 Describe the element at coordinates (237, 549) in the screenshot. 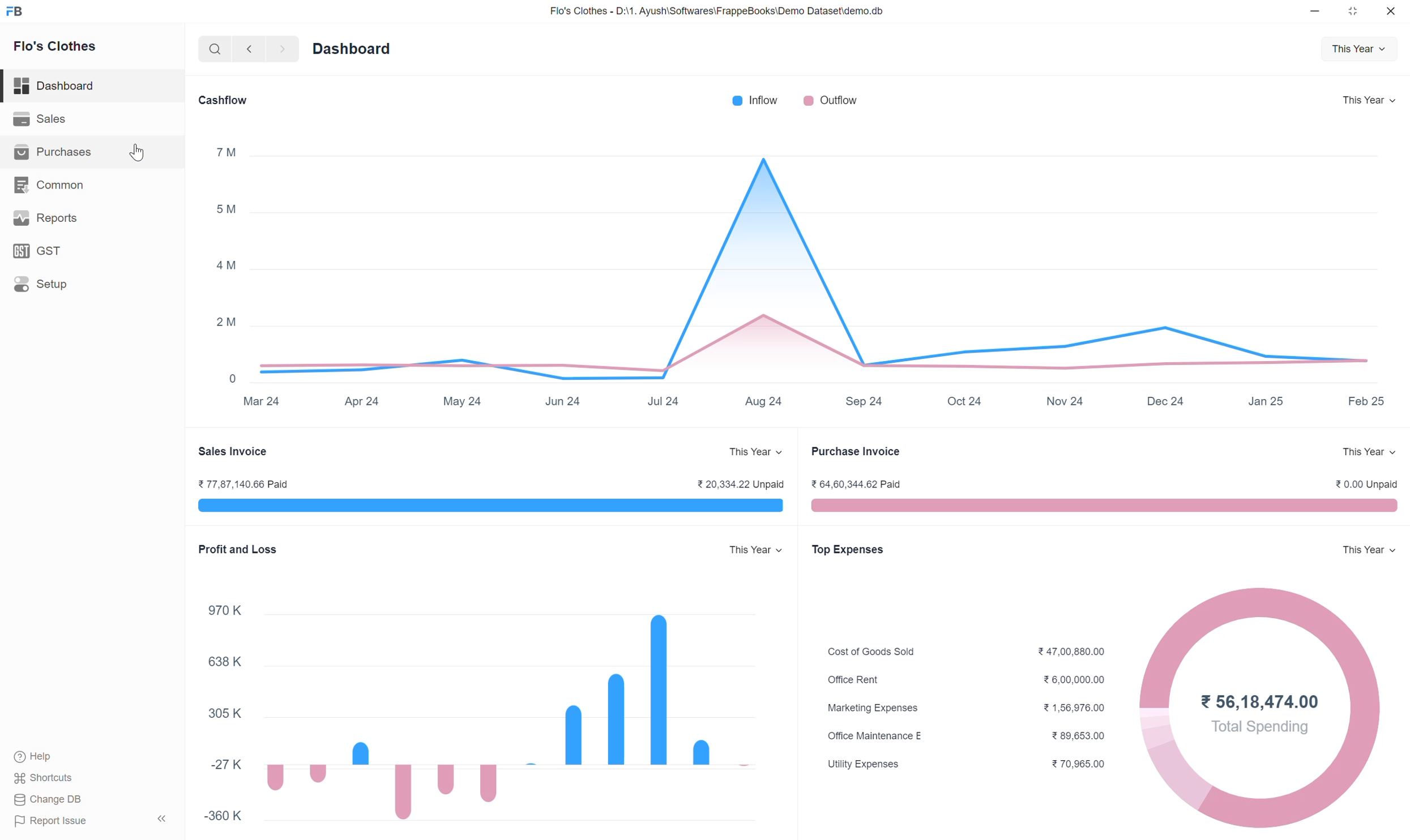

I see `Profit and Loss` at that location.